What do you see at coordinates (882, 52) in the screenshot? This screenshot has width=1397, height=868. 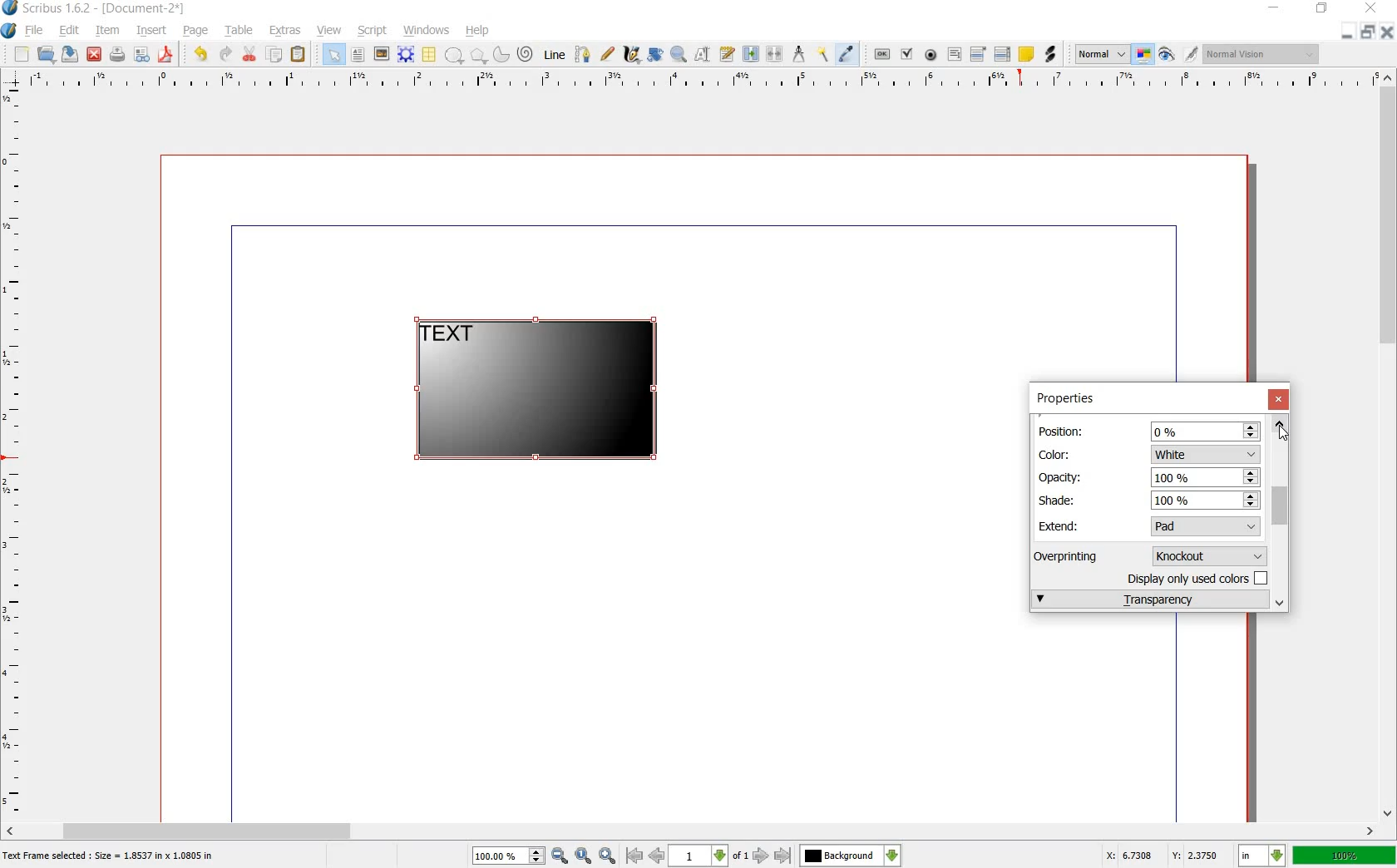 I see `pdf push button` at bounding box center [882, 52].